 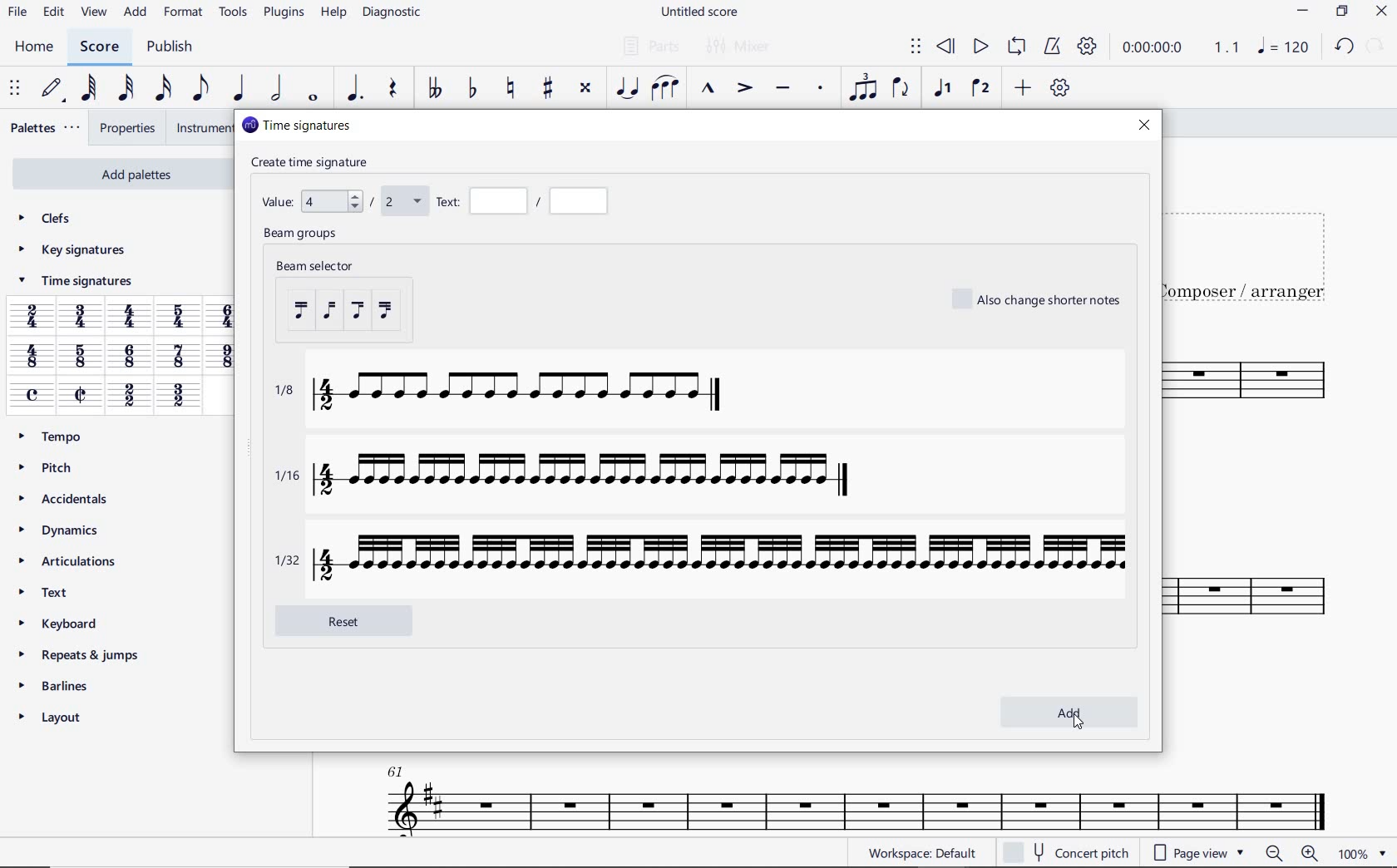 I want to click on STACCATO, so click(x=822, y=90).